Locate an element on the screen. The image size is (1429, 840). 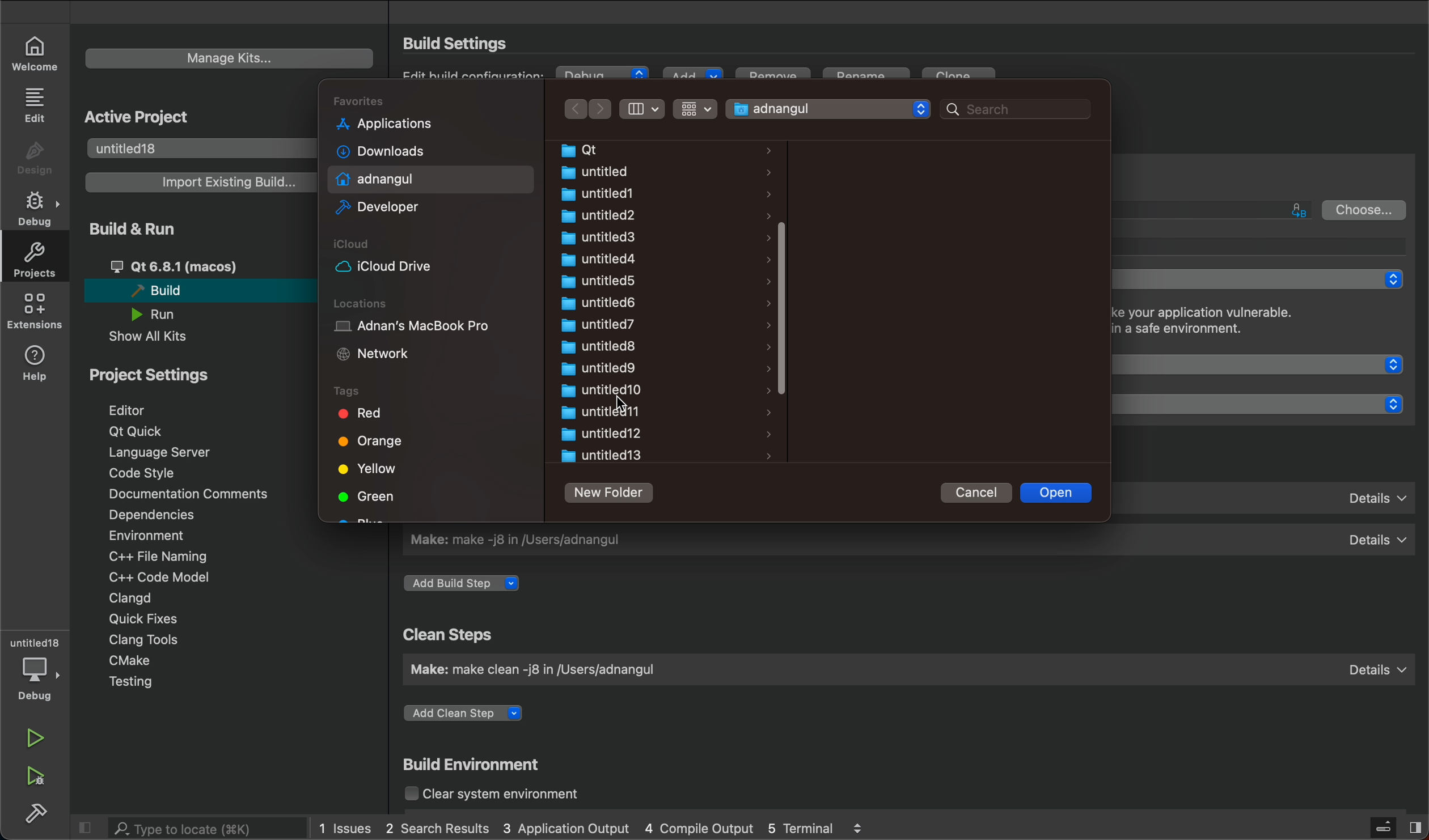
3 Application Output is located at coordinates (567, 828).